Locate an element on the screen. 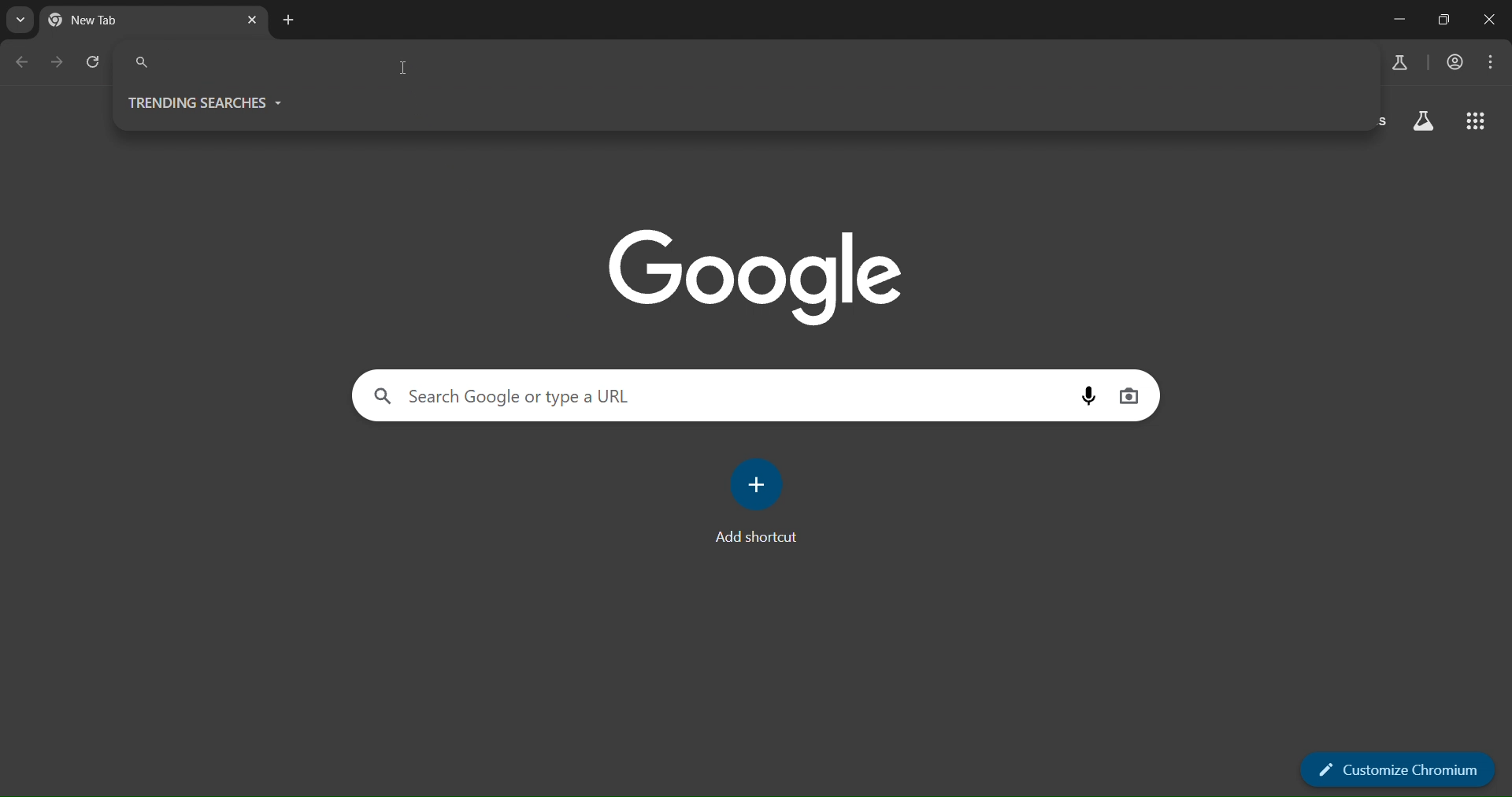  close is located at coordinates (1490, 20).